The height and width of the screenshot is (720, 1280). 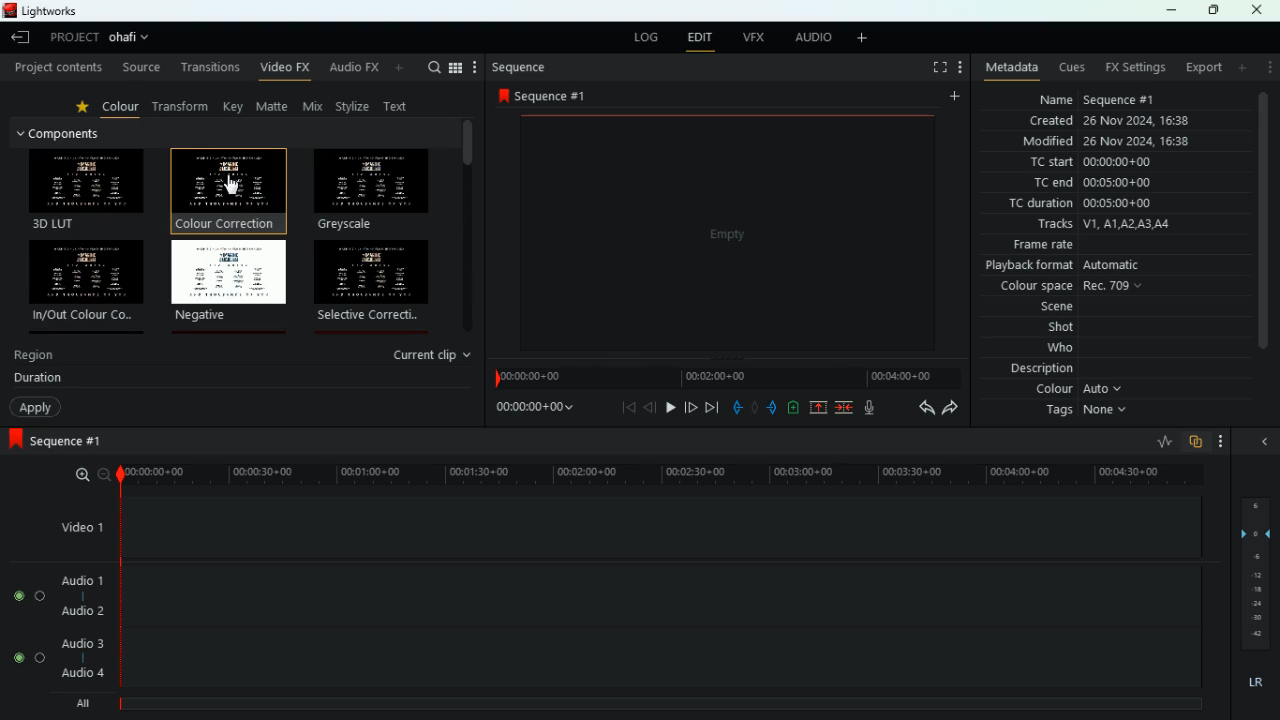 What do you see at coordinates (1137, 67) in the screenshot?
I see `fx settings` at bounding box center [1137, 67].